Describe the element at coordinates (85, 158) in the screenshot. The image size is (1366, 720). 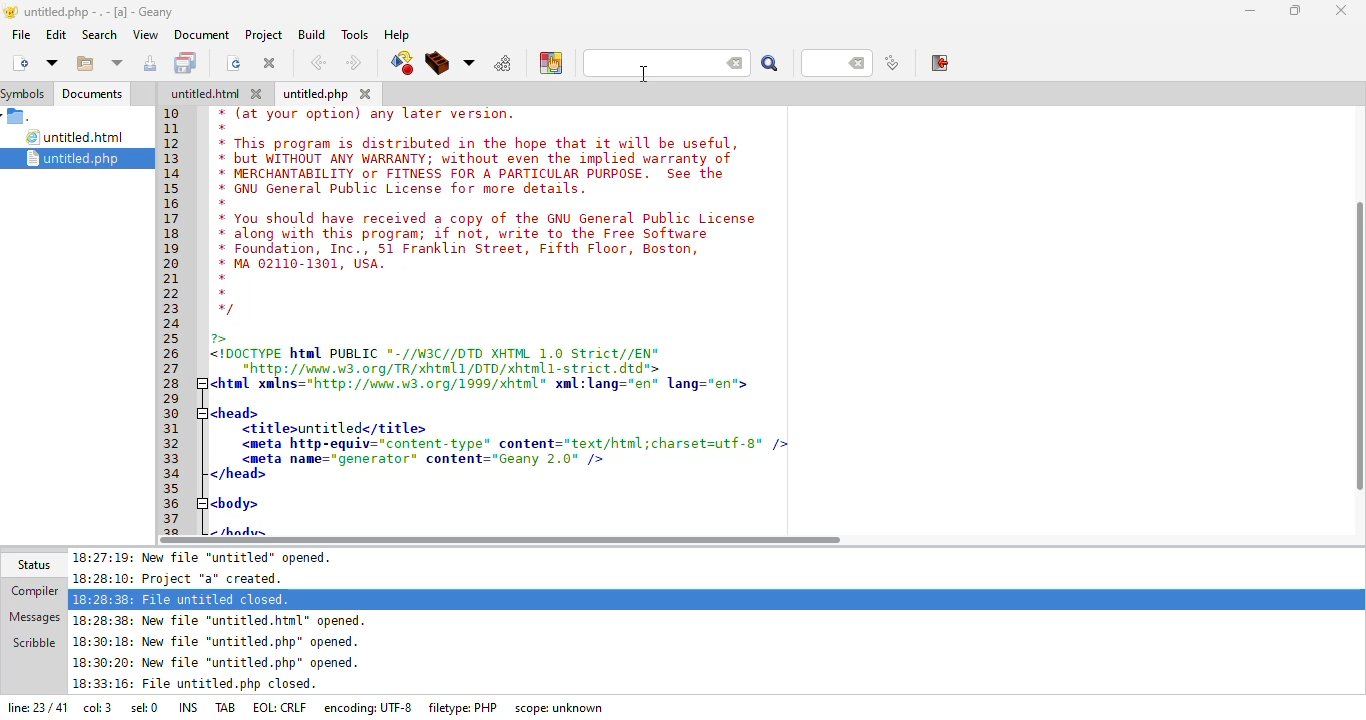
I see `untitled.php` at that location.